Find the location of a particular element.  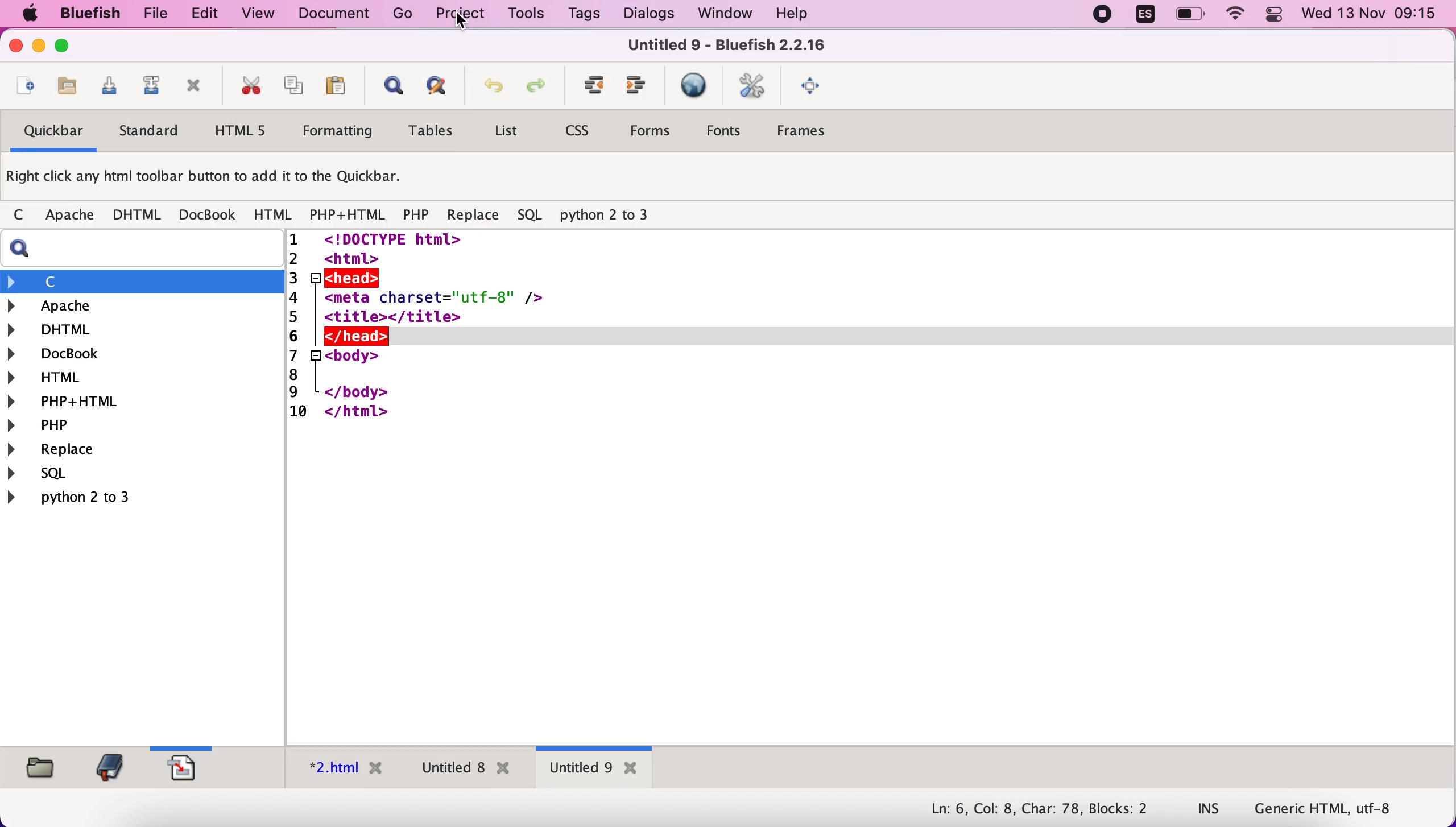

sql is located at coordinates (45, 475).